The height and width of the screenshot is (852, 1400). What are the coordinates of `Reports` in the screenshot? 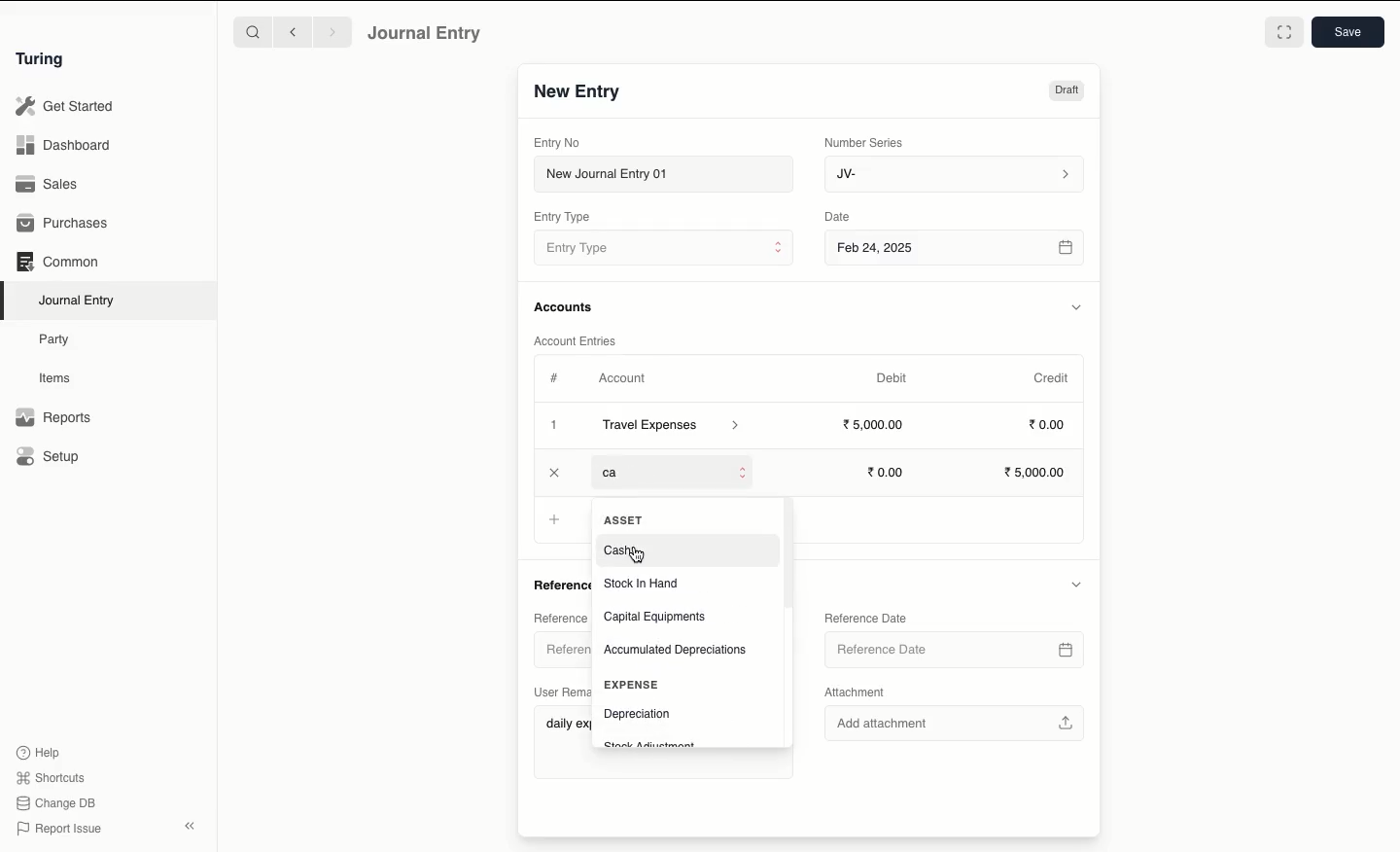 It's located at (53, 417).